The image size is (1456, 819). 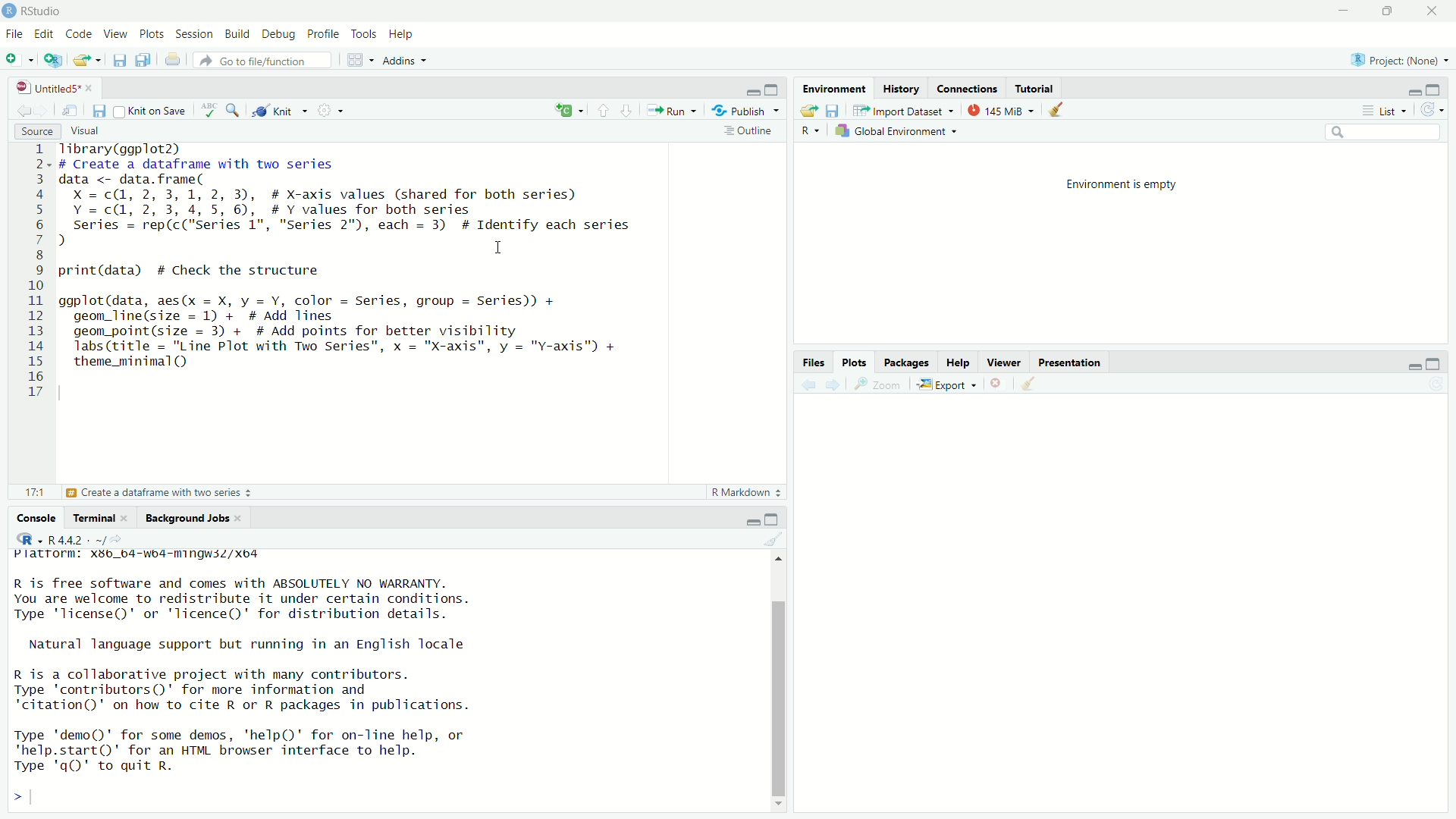 What do you see at coordinates (833, 86) in the screenshot?
I see `Environment` at bounding box center [833, 86].